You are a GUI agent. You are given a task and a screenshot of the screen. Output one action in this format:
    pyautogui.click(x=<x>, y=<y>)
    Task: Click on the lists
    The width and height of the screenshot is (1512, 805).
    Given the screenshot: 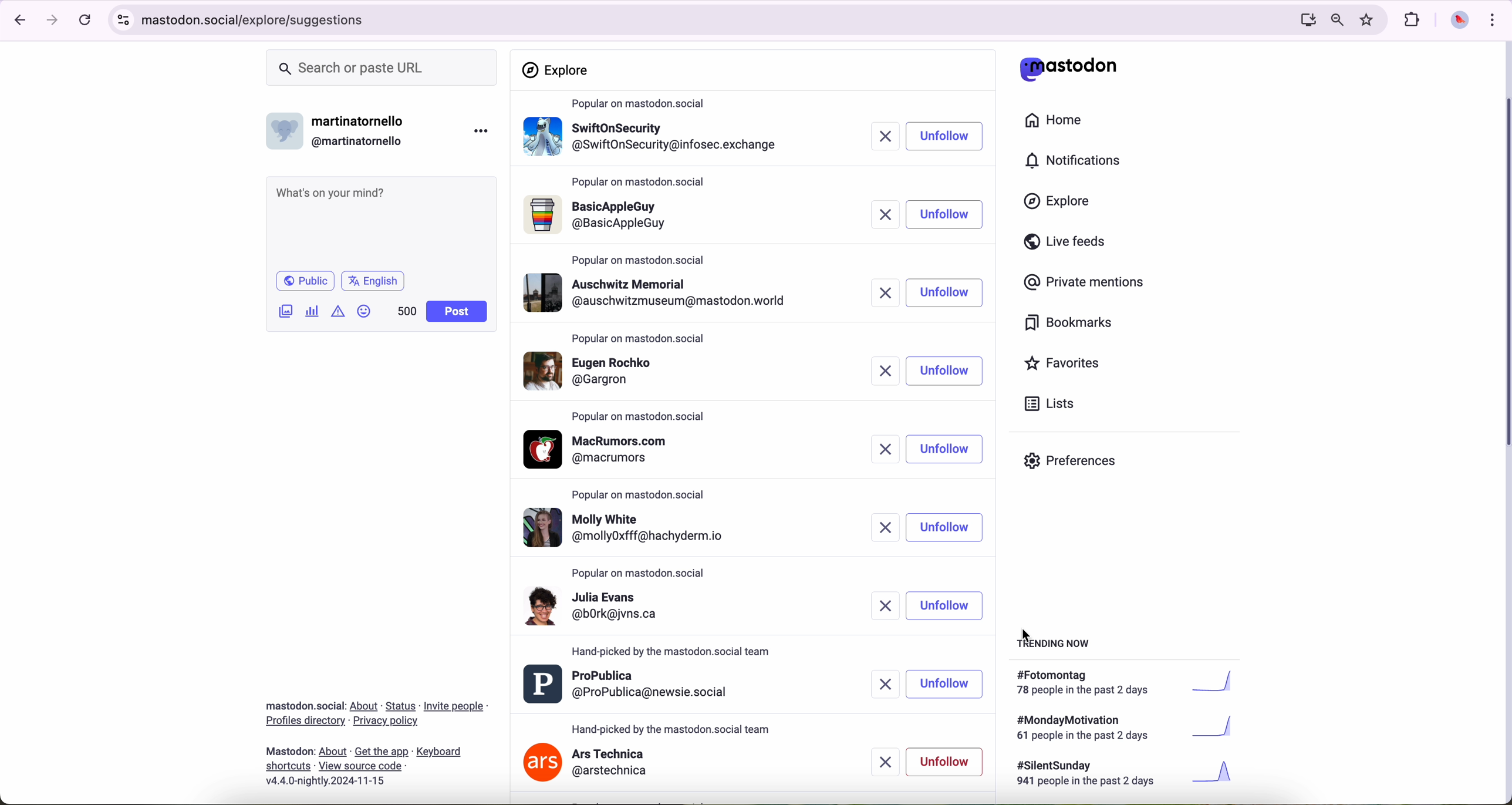 What is the action you would take?
    pyautogui.click(x=1045, y=403)
    